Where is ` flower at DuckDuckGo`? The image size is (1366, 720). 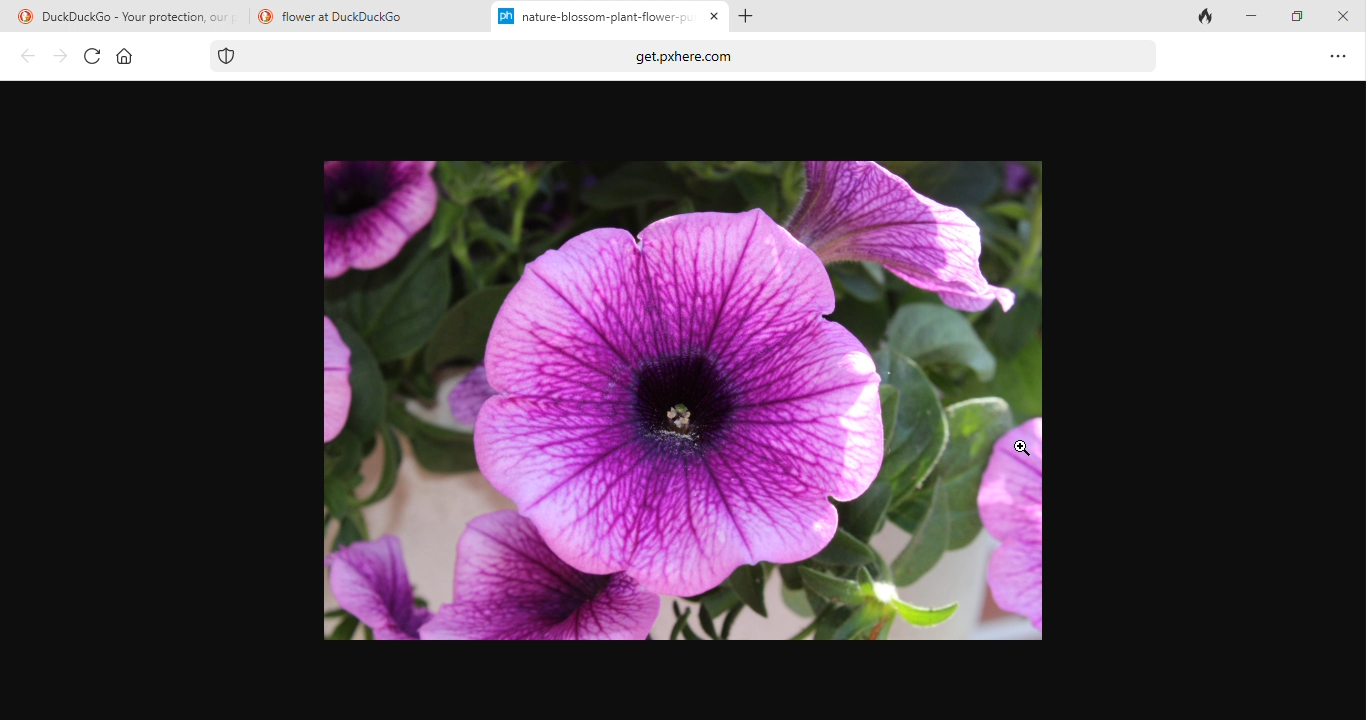
 flower at DuckDuckGo is located at coordinates (360, 20).